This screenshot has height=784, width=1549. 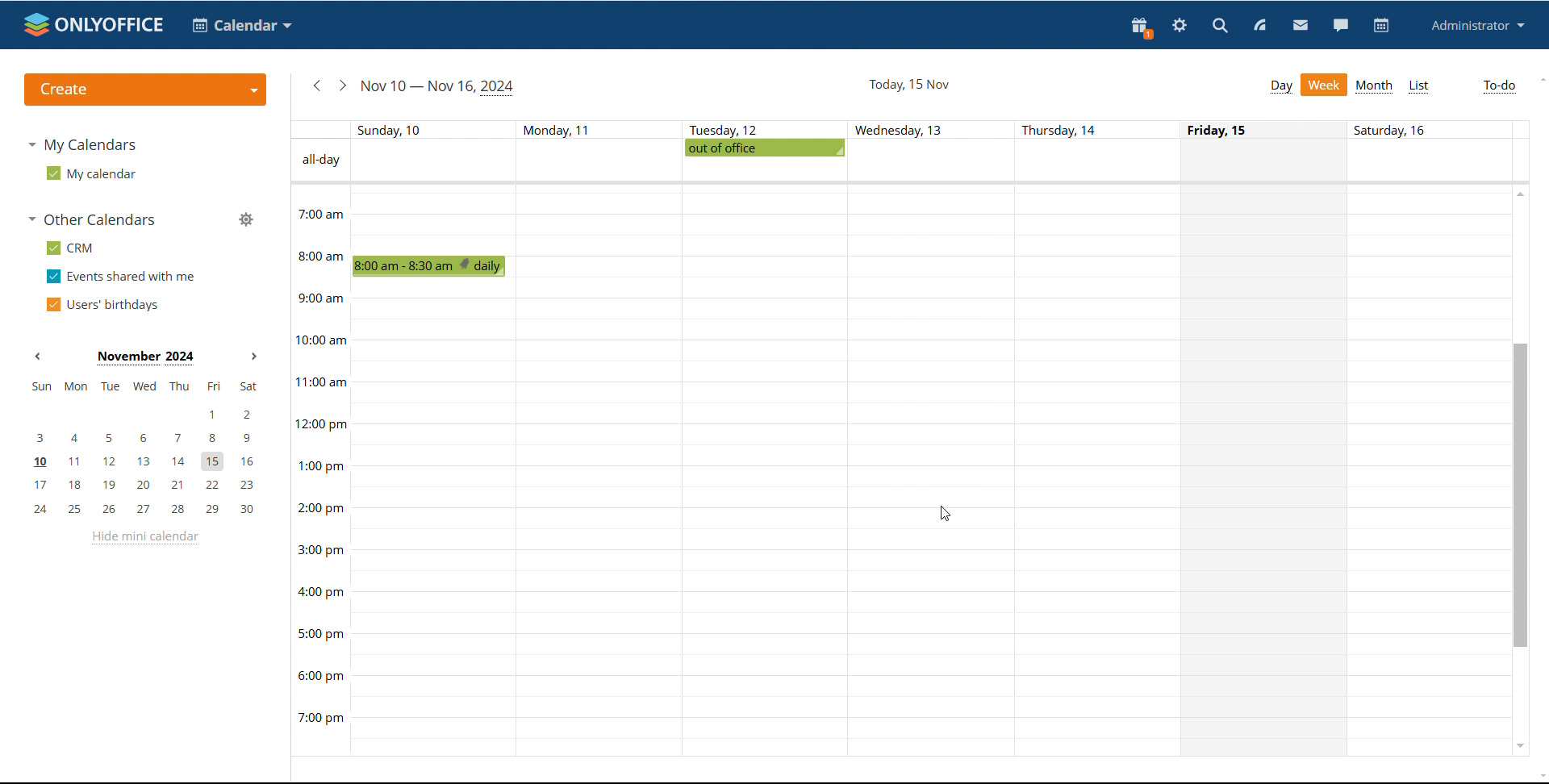 I want to click on next month, so click(x=254, y=357).